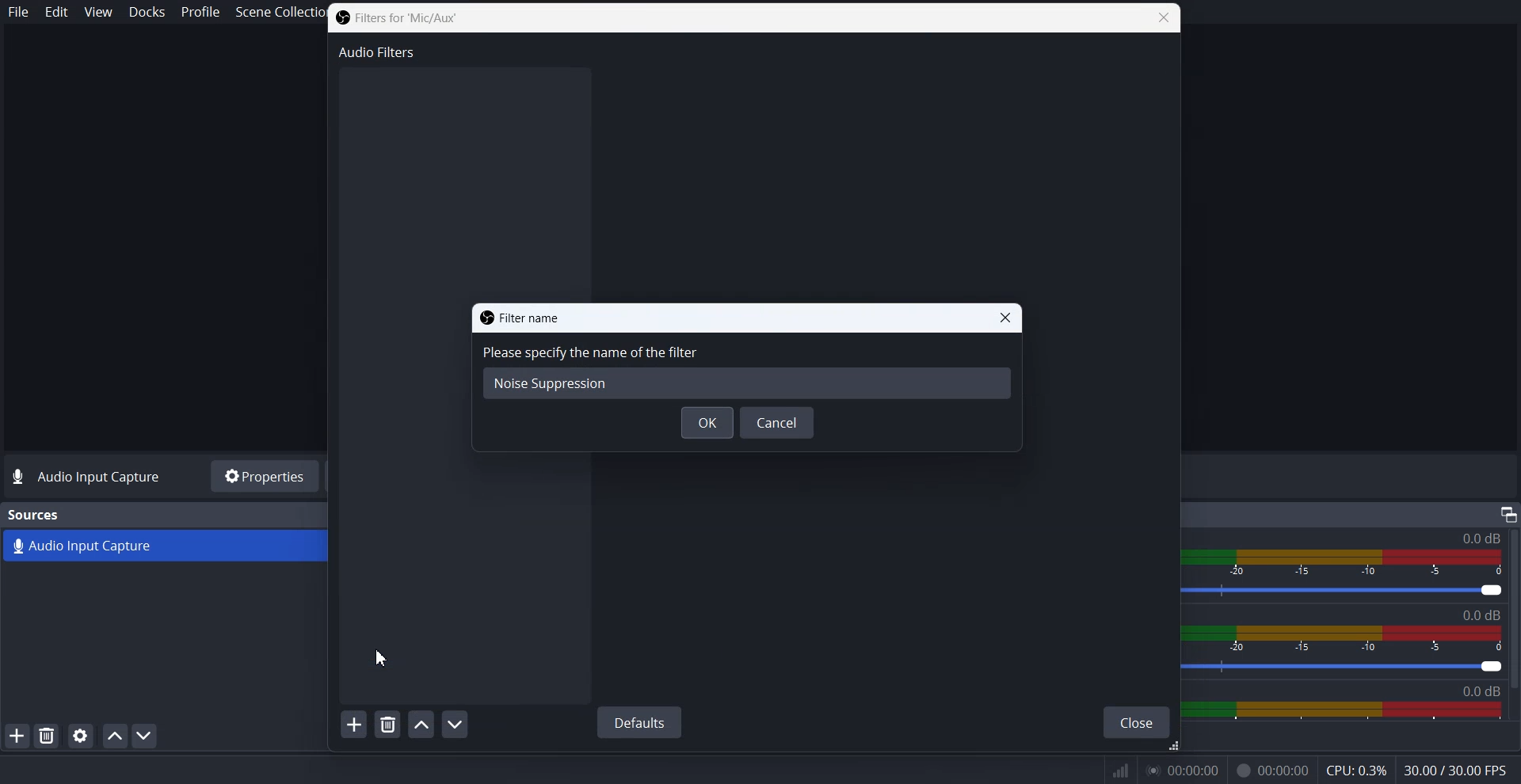 This screenshot has width=1521, height=784. Describe the element at coordinates (1005, 318) in the screenshot. I see `Close` at that location.